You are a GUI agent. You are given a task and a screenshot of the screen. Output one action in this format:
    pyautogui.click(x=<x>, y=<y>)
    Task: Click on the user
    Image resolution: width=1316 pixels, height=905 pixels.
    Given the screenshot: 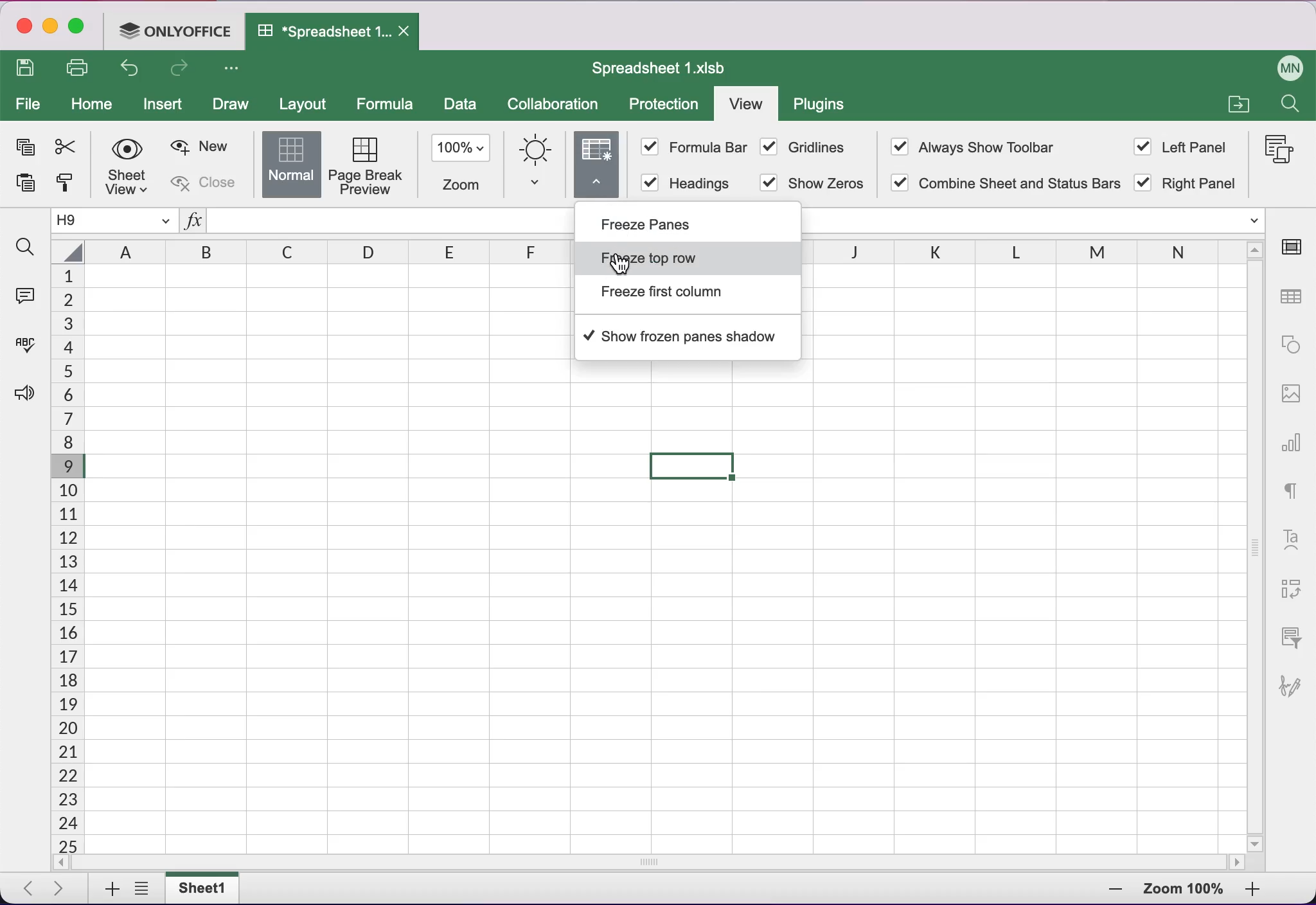 What is the action you would take?
    pyautogui.click(x=1283, y=66)
    